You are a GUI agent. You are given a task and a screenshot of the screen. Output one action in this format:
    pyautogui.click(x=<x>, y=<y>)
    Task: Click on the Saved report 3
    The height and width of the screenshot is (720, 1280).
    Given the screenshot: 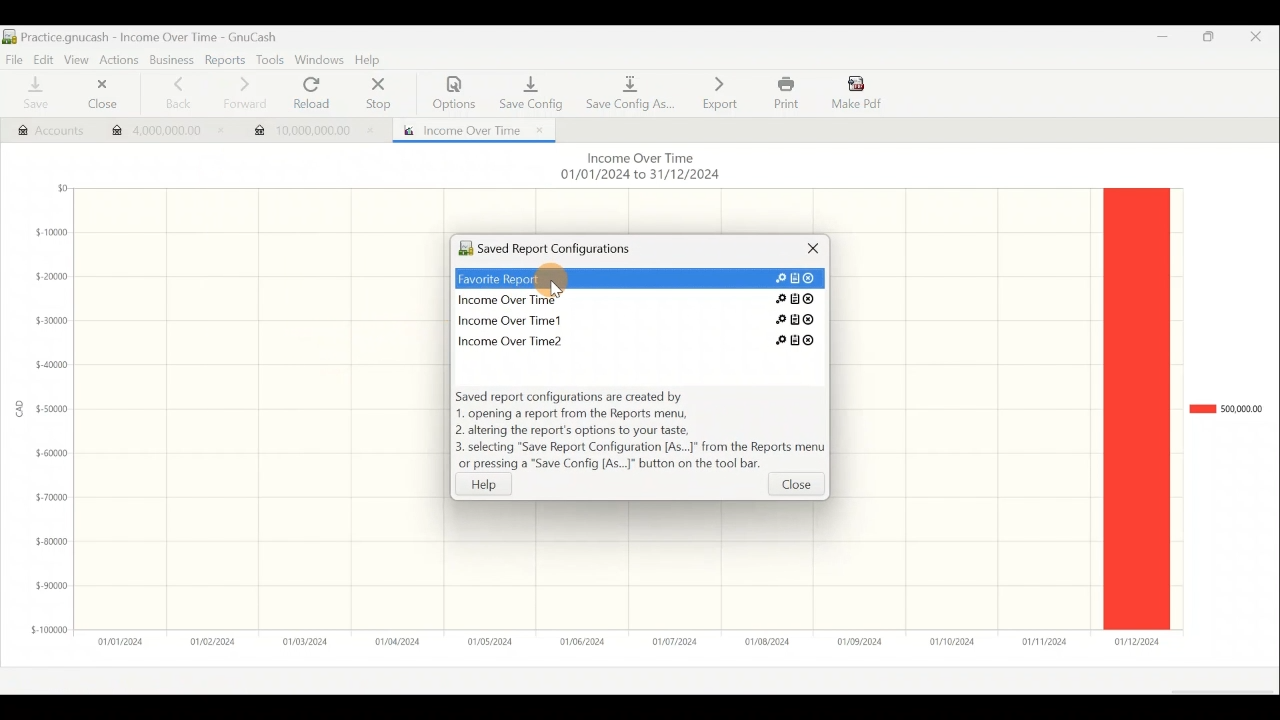 What is the action you would take?
    pyautogui.click(x=637, y=319)
    